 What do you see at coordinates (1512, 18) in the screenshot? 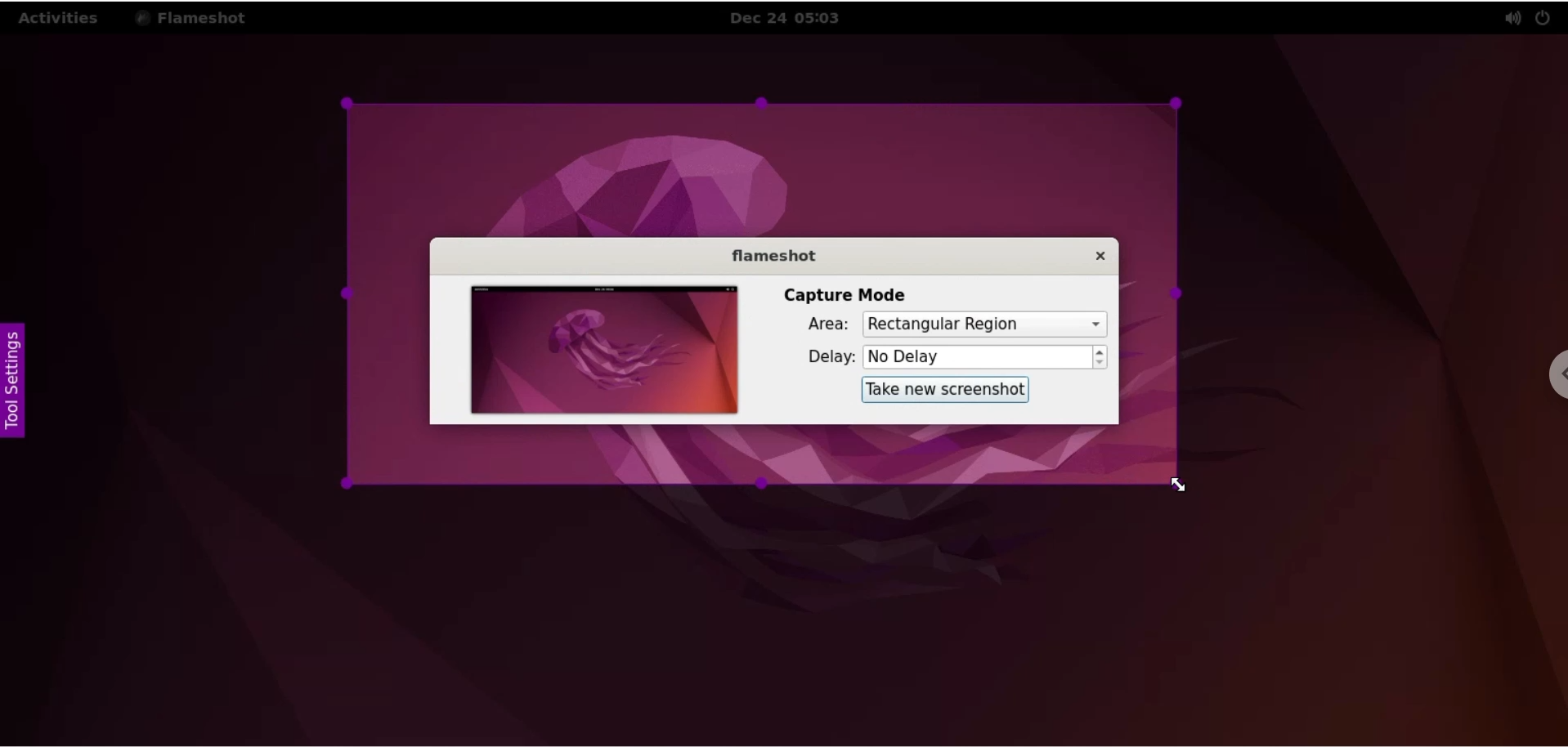
I see `sound options` at bounding box center [1512, 18].